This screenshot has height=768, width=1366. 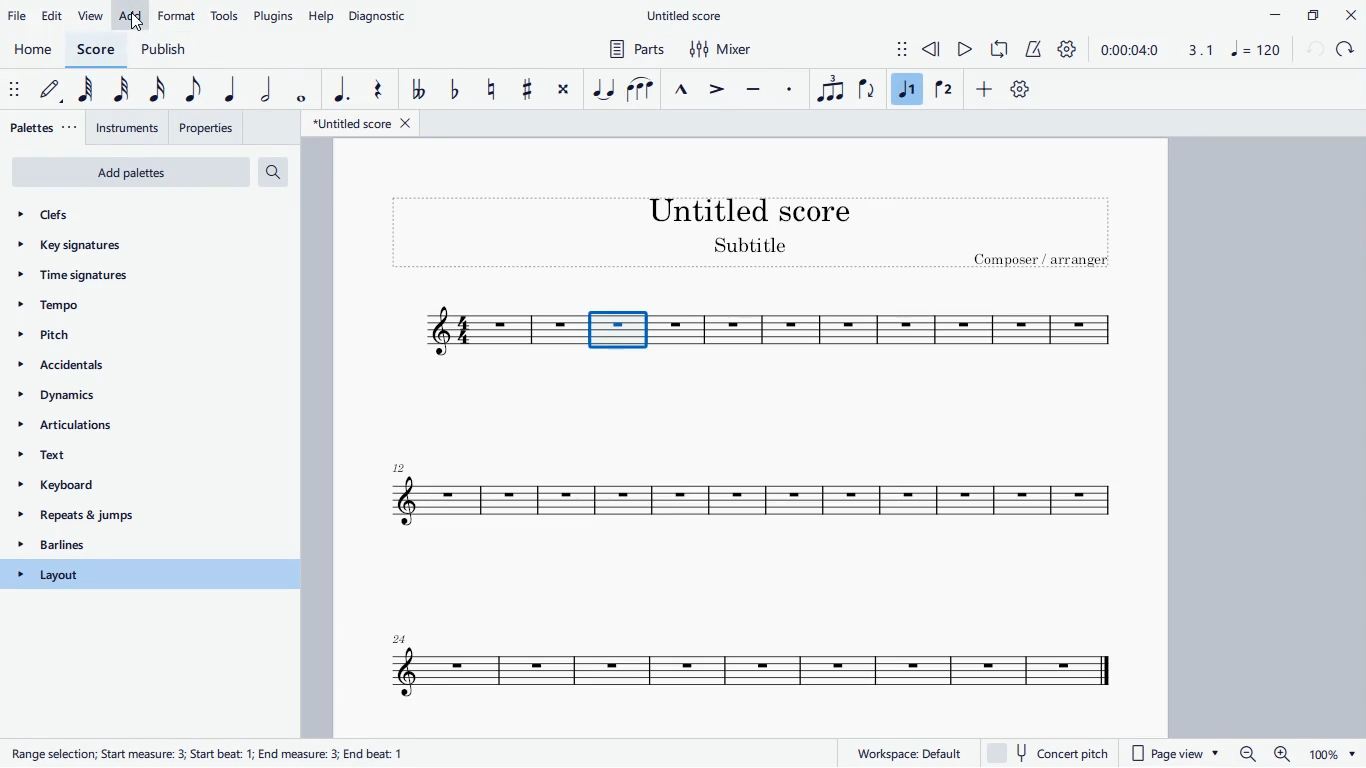 What do you see at coordinates (1001, 49) in the screenshot?
I see `loop playback` at bounding box center [1001, 49].